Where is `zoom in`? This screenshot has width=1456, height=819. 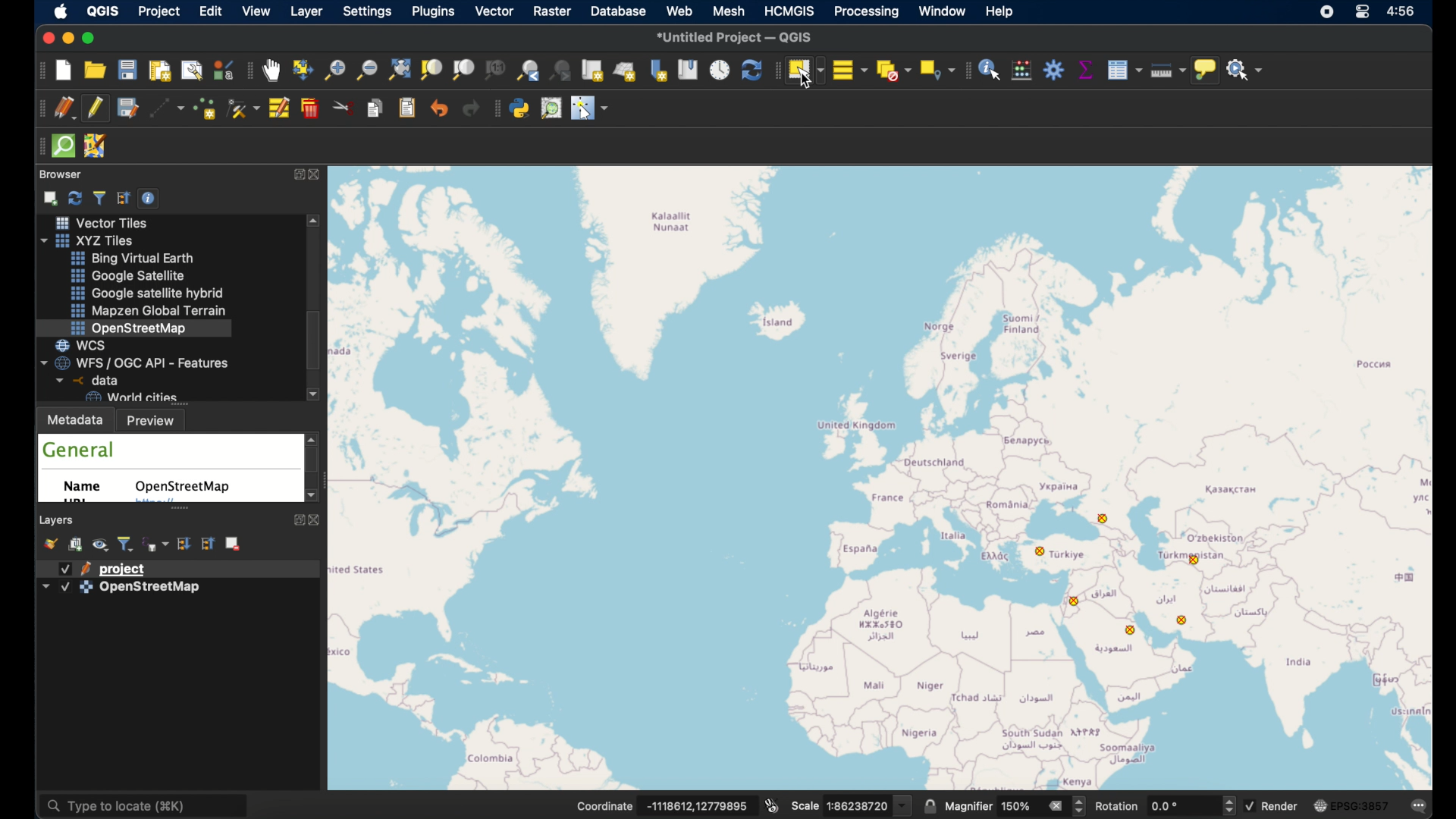 zoom in is located at coordinates (334, 74).